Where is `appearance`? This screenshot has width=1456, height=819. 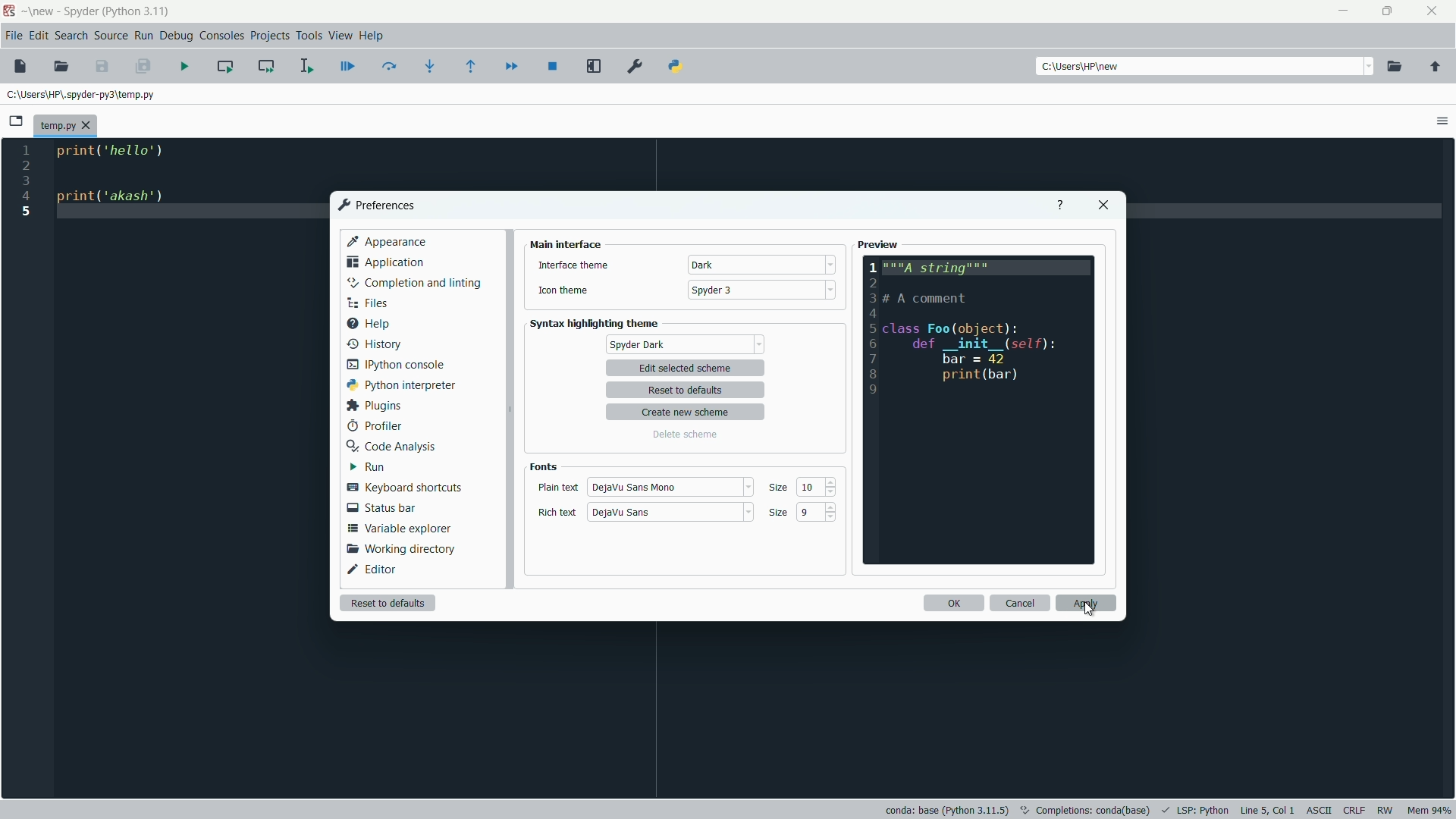 appearance is located at coordinates (388, 240).